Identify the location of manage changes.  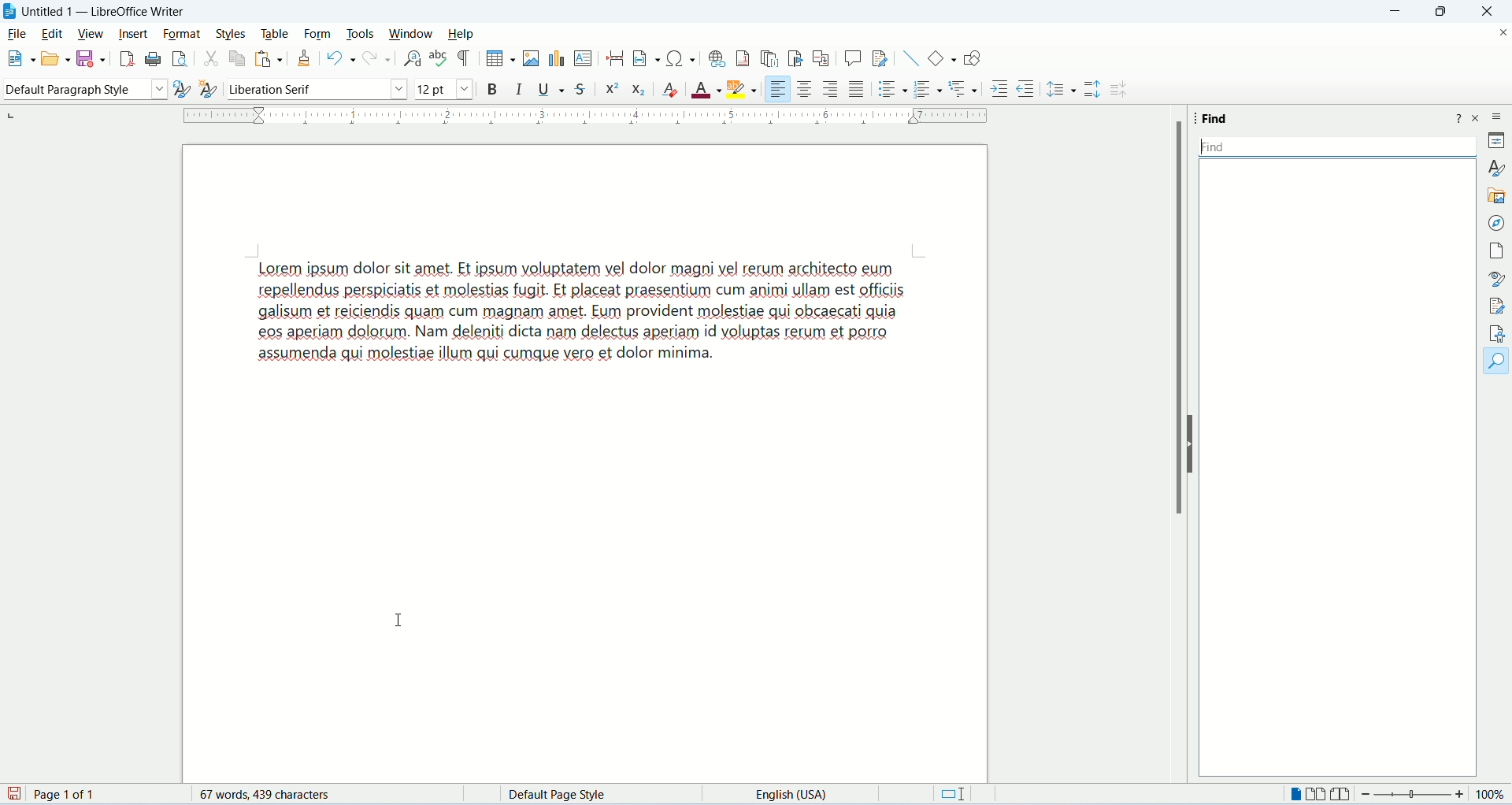
(1498, 308).